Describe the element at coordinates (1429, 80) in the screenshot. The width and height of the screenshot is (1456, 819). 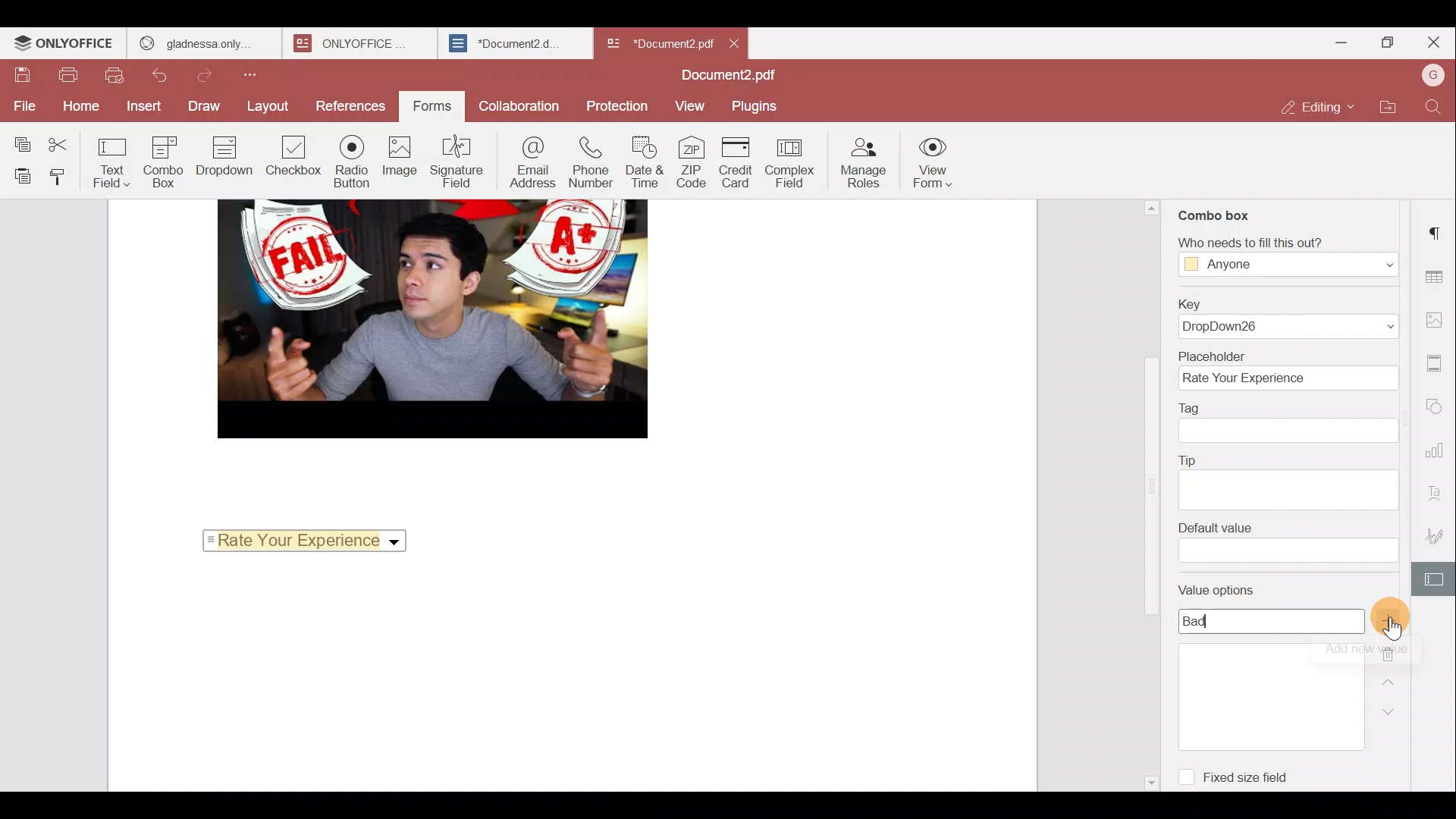
I see `Account name` at that location.